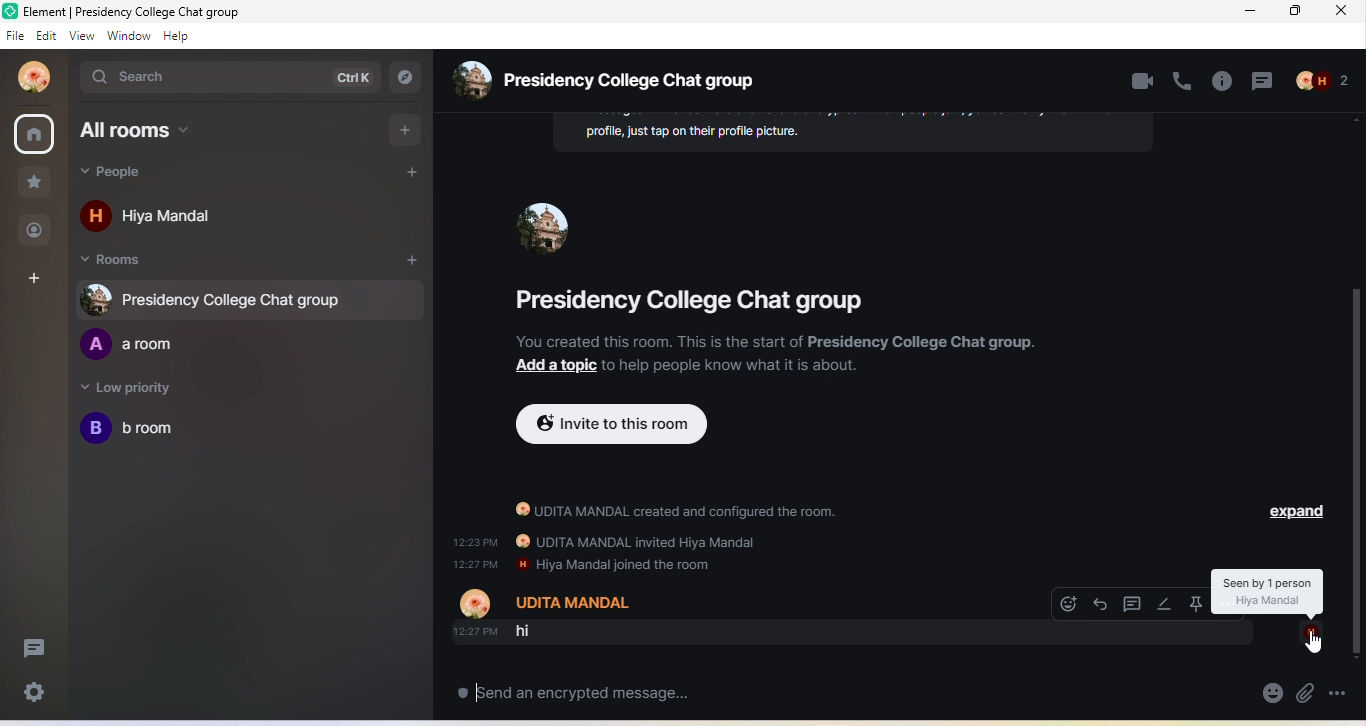 The image size is (1366, 726). Describe the element at coordinates (33, 649) in the screenshot. I see `thread` at that location.